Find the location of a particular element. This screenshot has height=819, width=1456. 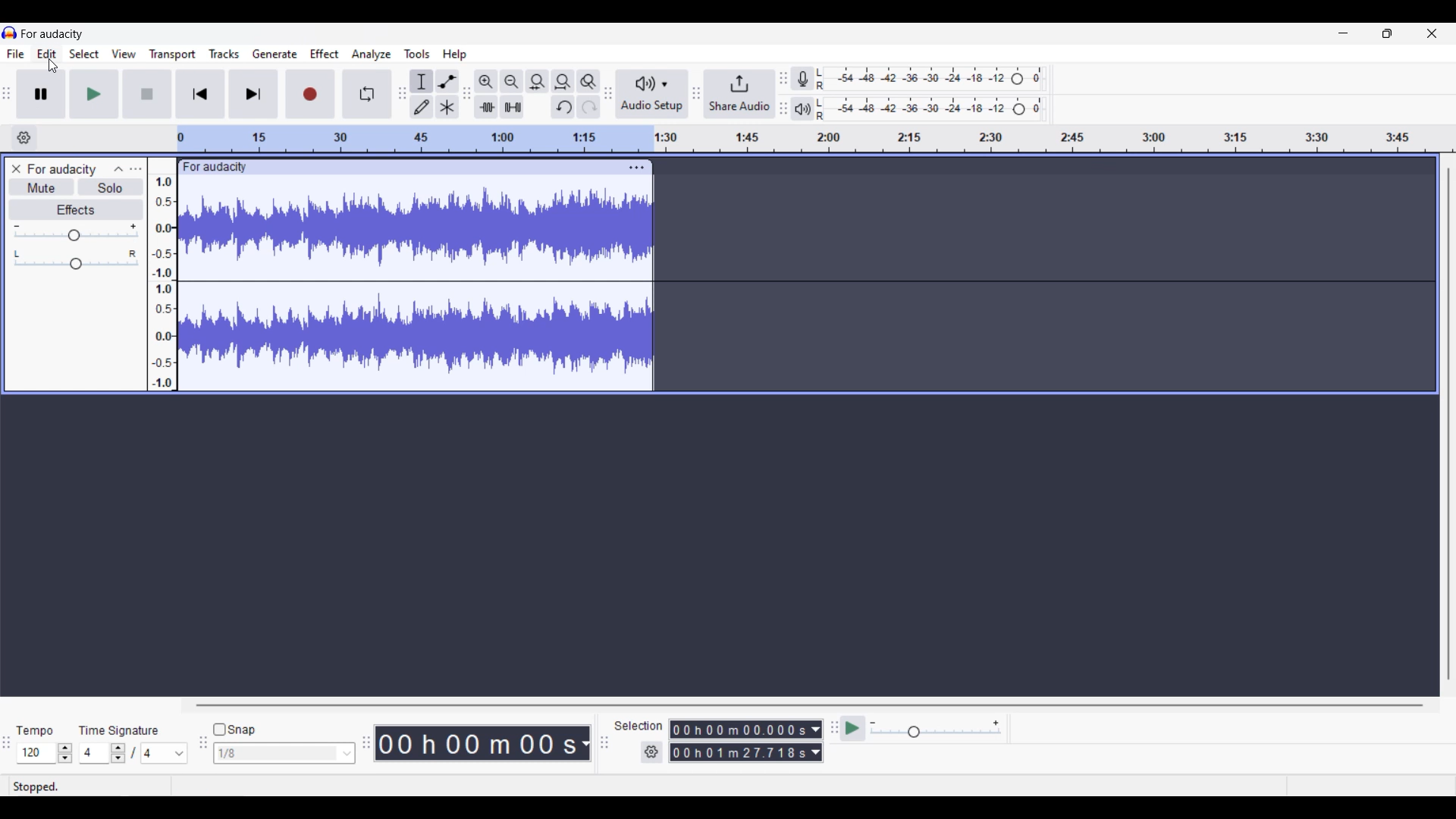

Minimize is located at coordinates (1343, 33).